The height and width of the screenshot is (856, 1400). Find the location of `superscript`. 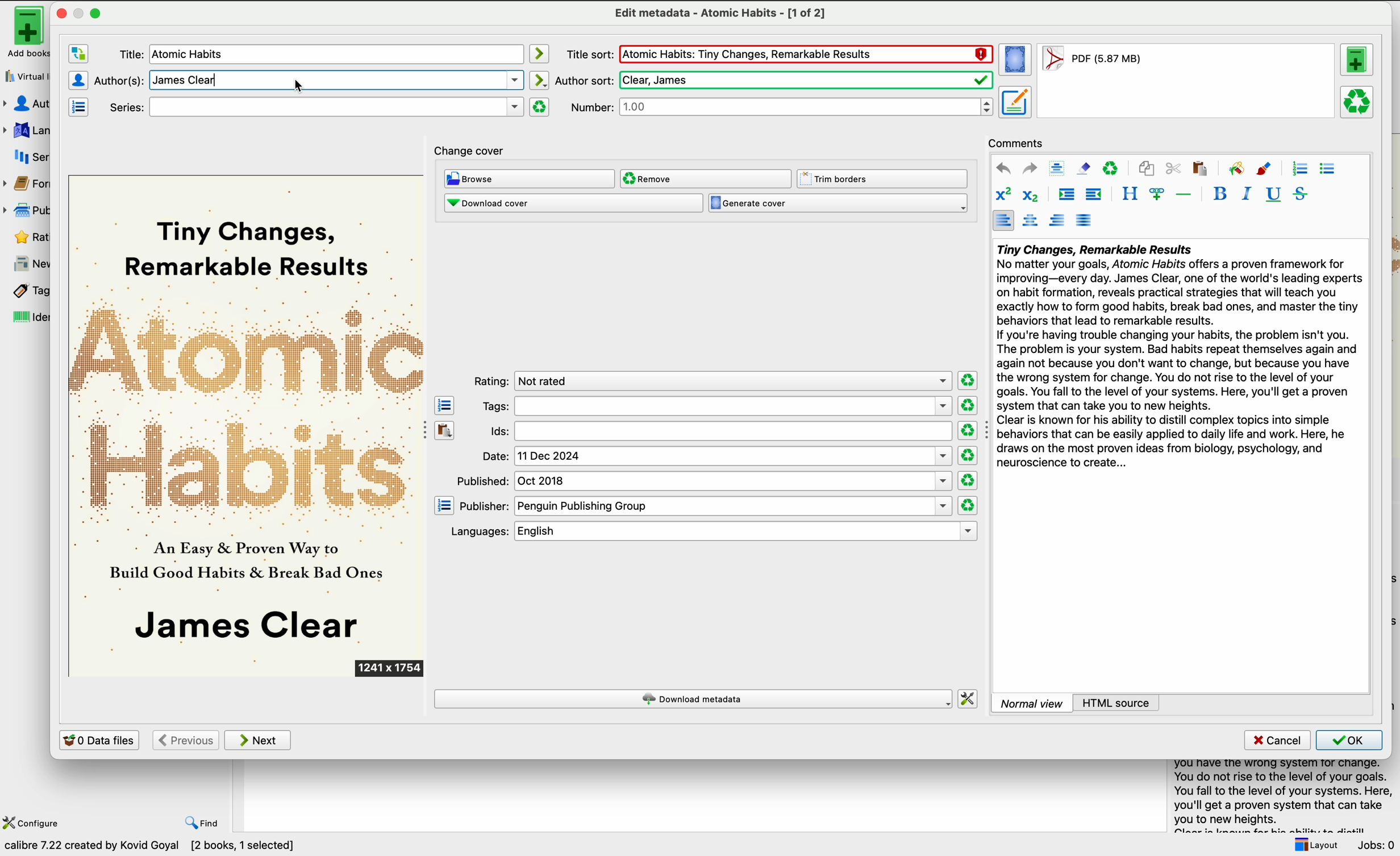

superscript is located at coordinates (1002, 194).